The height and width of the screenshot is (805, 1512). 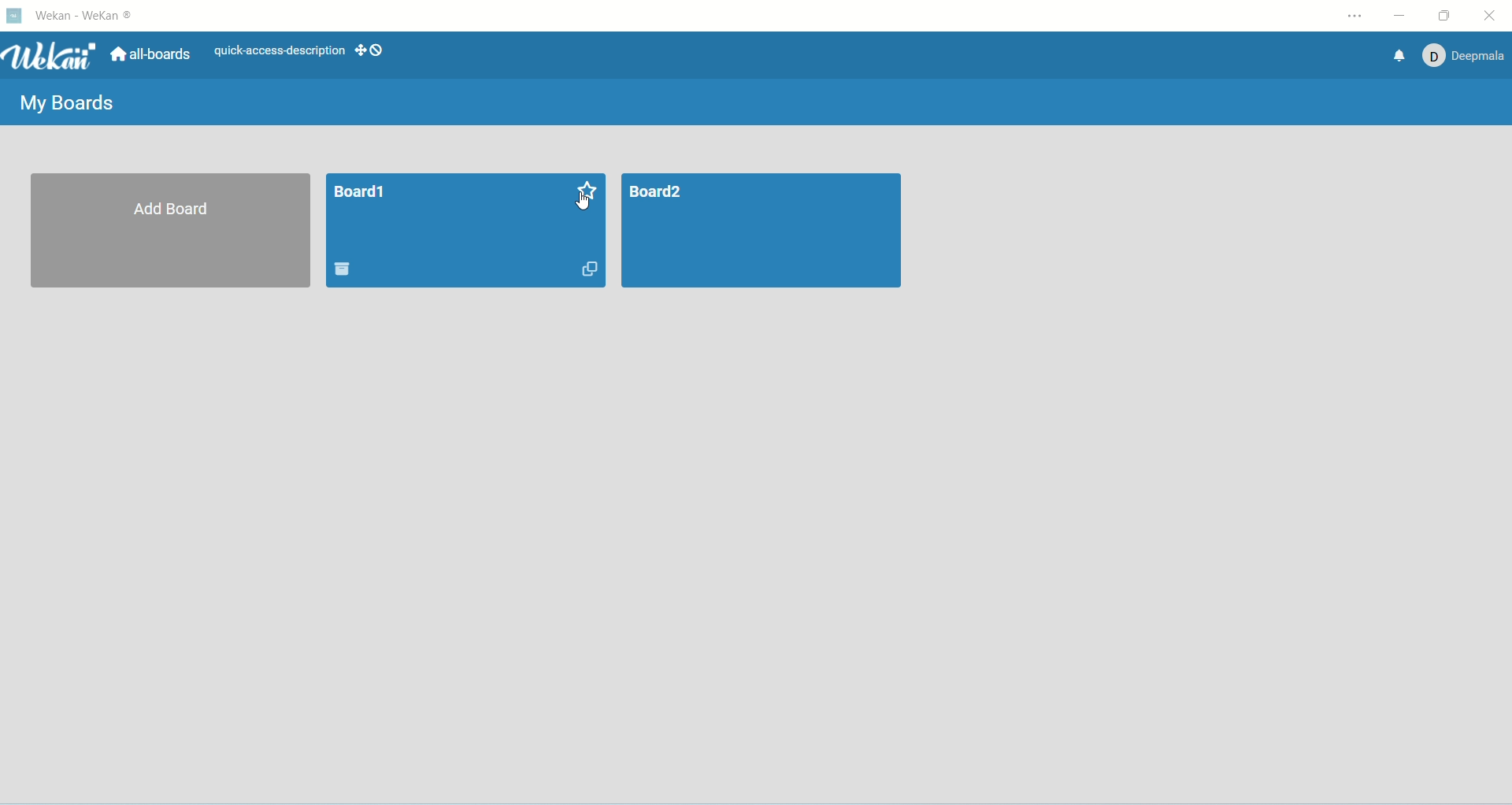 What do you see at coordinates (584, 271) in the screenshot?
I see `duplicate the board` at bounding box center [584, 271].